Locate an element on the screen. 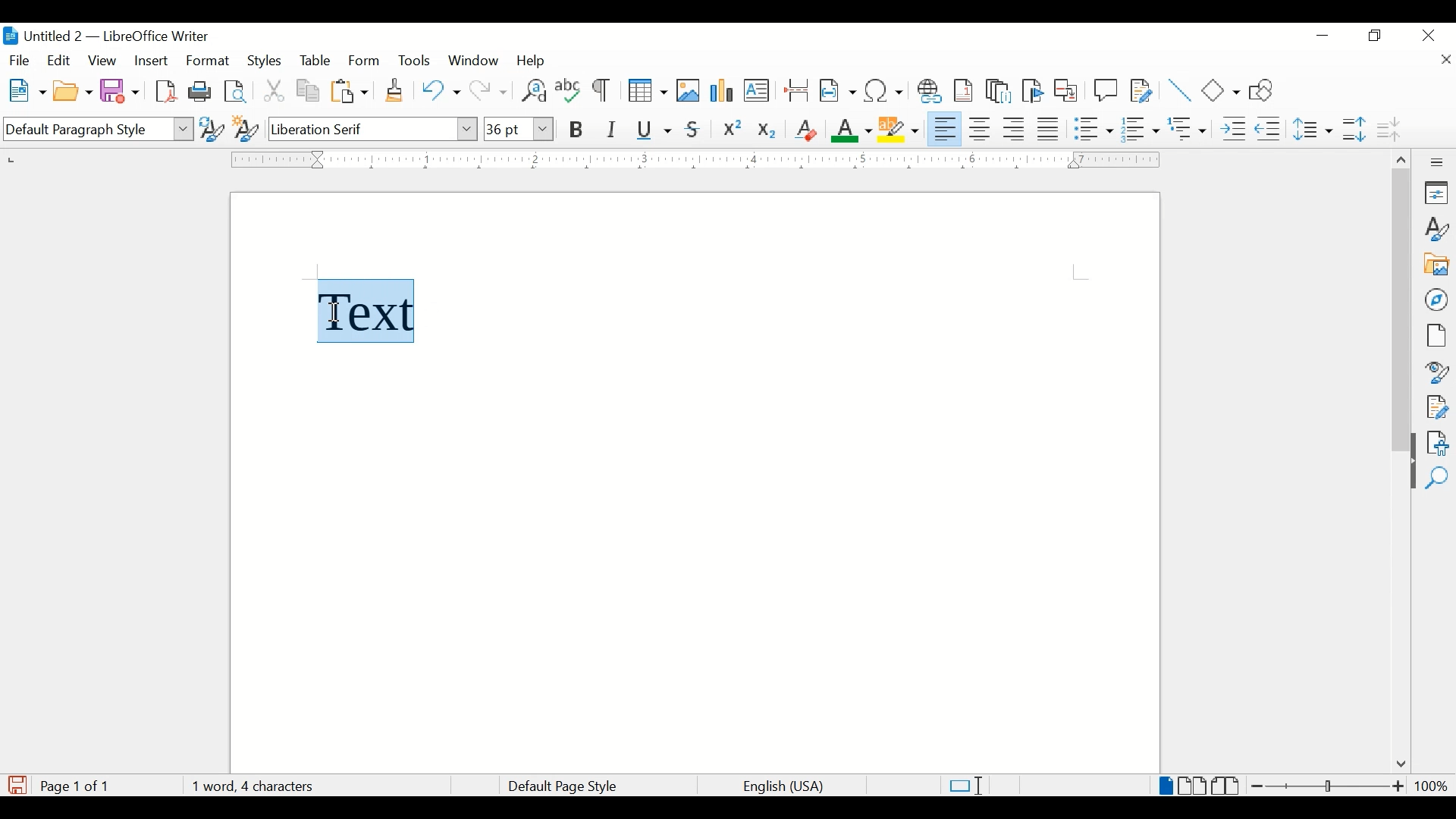 This screenshot has width=1456, height=819. close is located at coordinates (1429, 34).